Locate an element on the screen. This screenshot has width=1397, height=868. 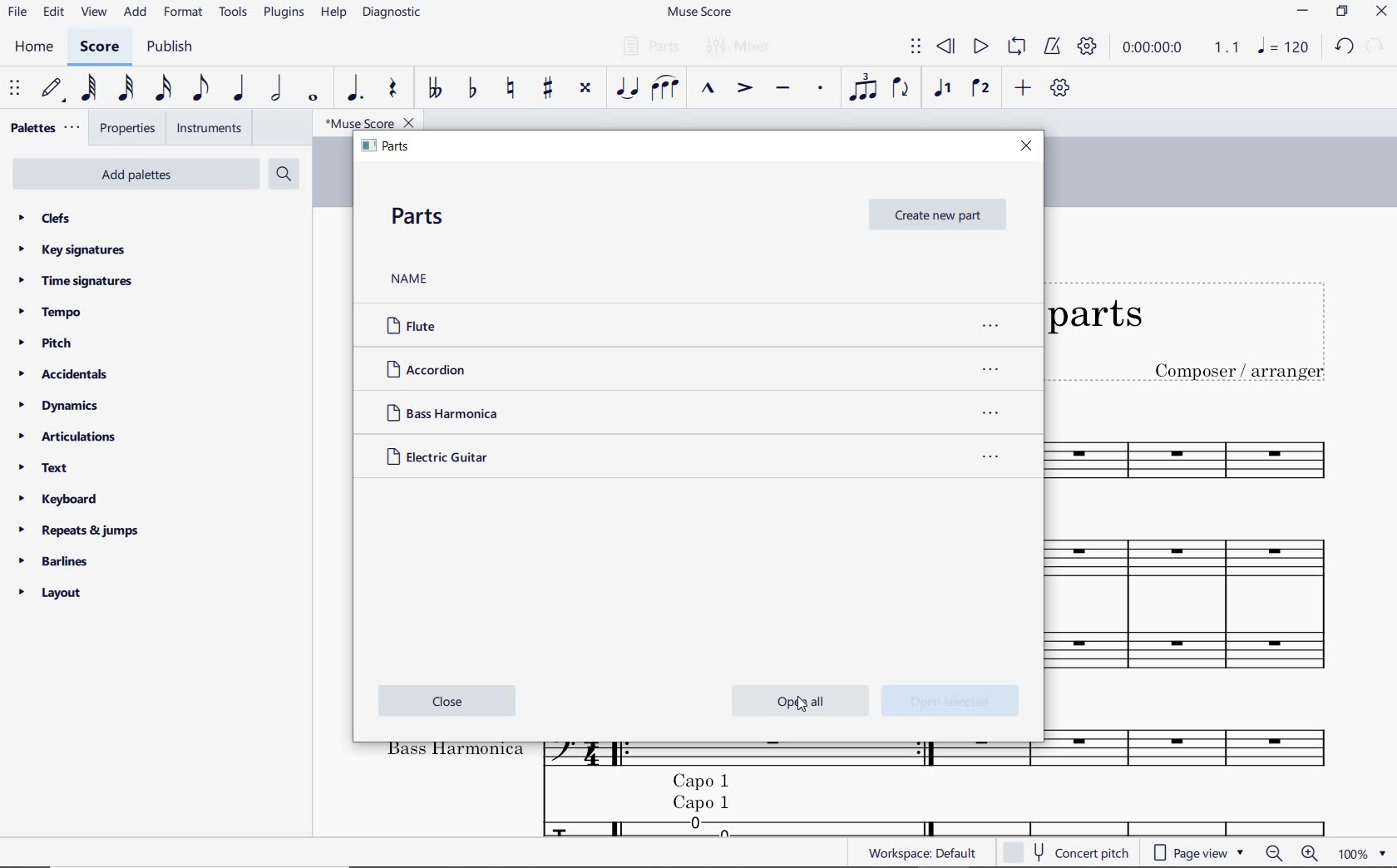
augmentation dot is located at coordinates (357, 88).